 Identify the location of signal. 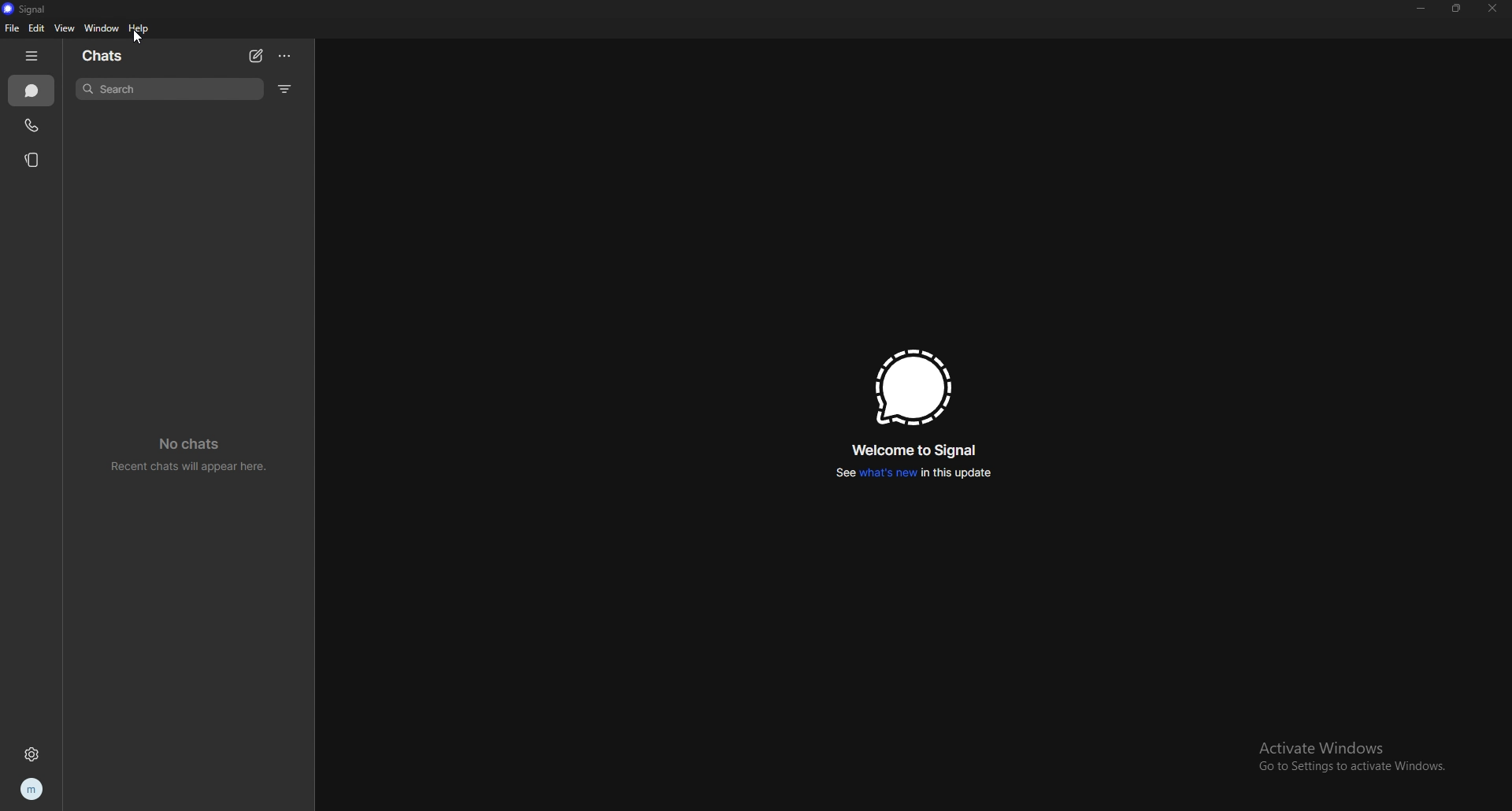
(35, 9).